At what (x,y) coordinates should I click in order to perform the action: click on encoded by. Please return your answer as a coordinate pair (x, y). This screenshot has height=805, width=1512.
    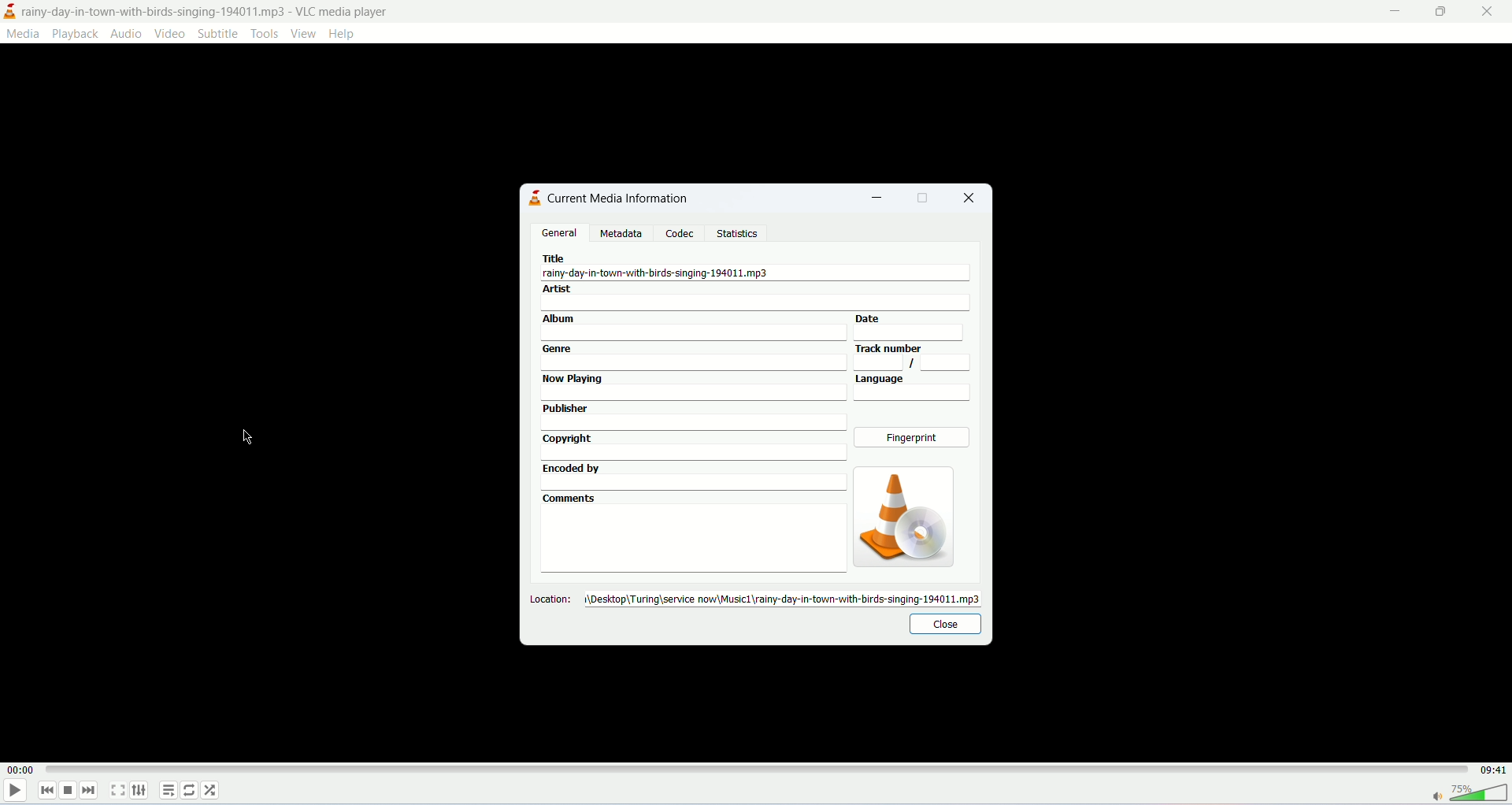
    Looking at the image, I should click on (696, 475).